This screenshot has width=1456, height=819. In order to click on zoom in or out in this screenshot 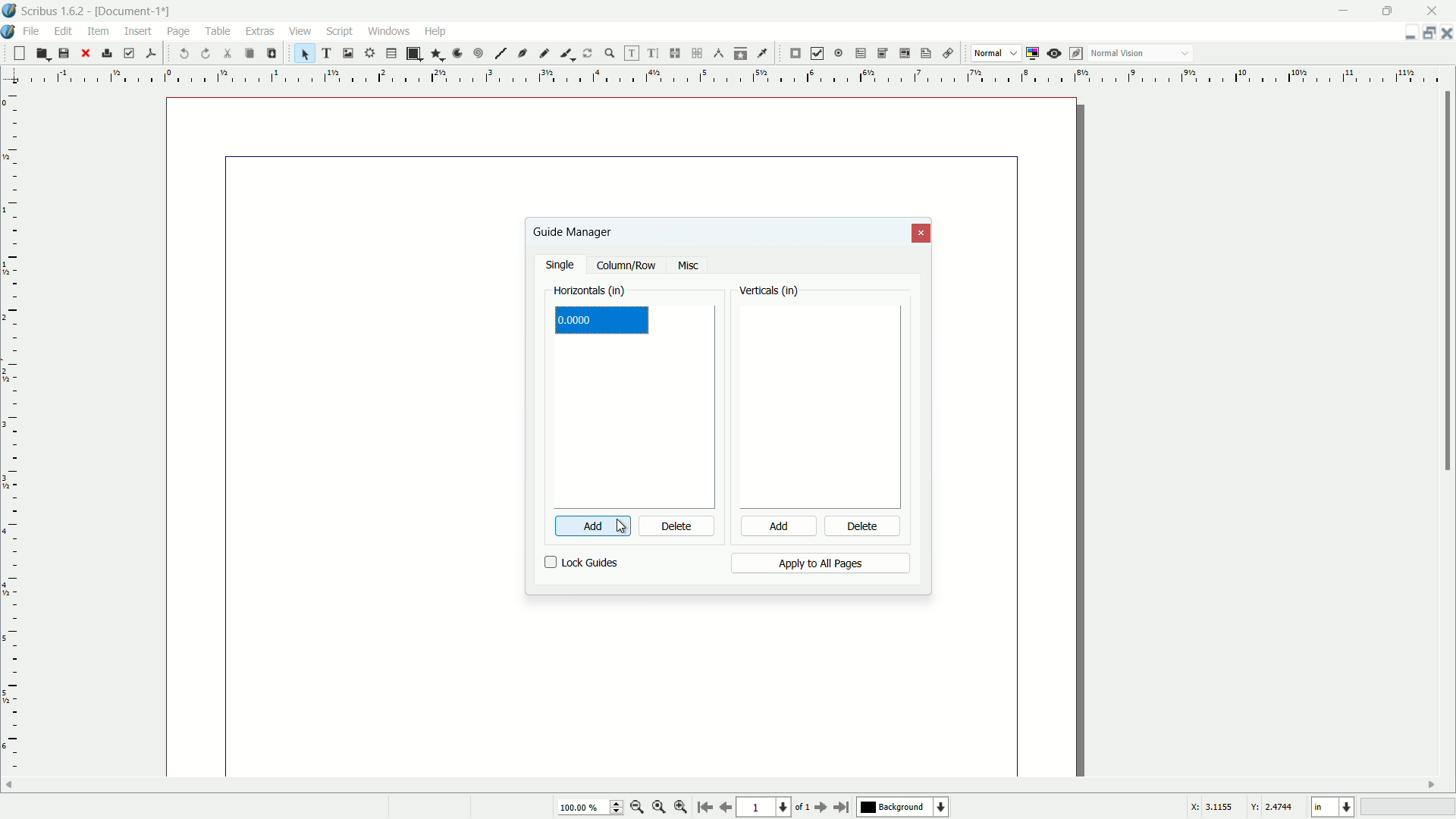, I will do `click(610, 52)`.